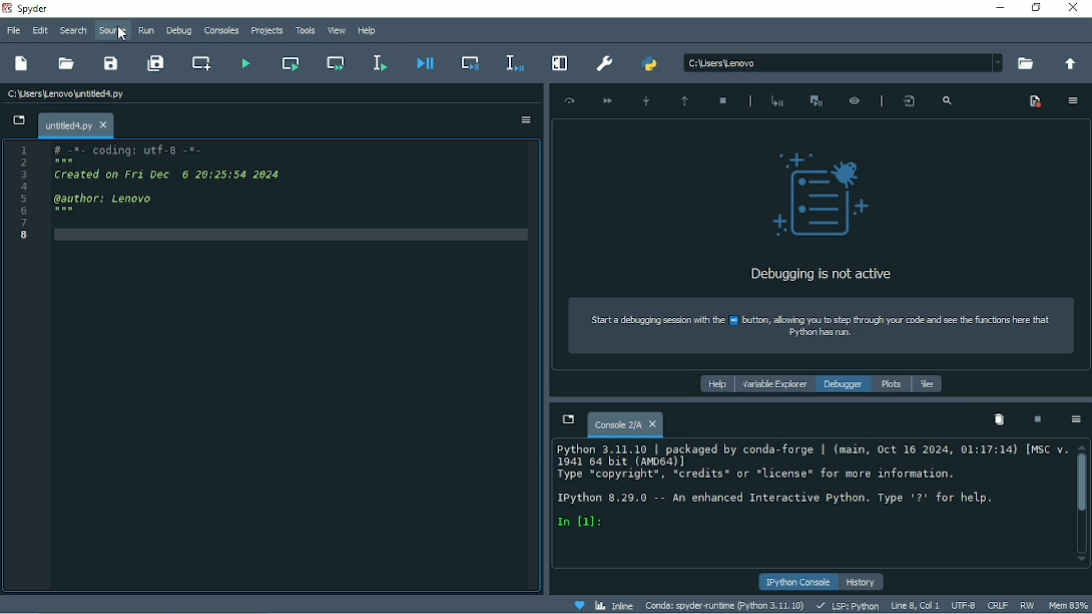 This screenshot has height=614, width=1092. Describe the element at coordinates (816, 102) in the screenshot. I see `Interrupt execution and start the debugger` at that location.